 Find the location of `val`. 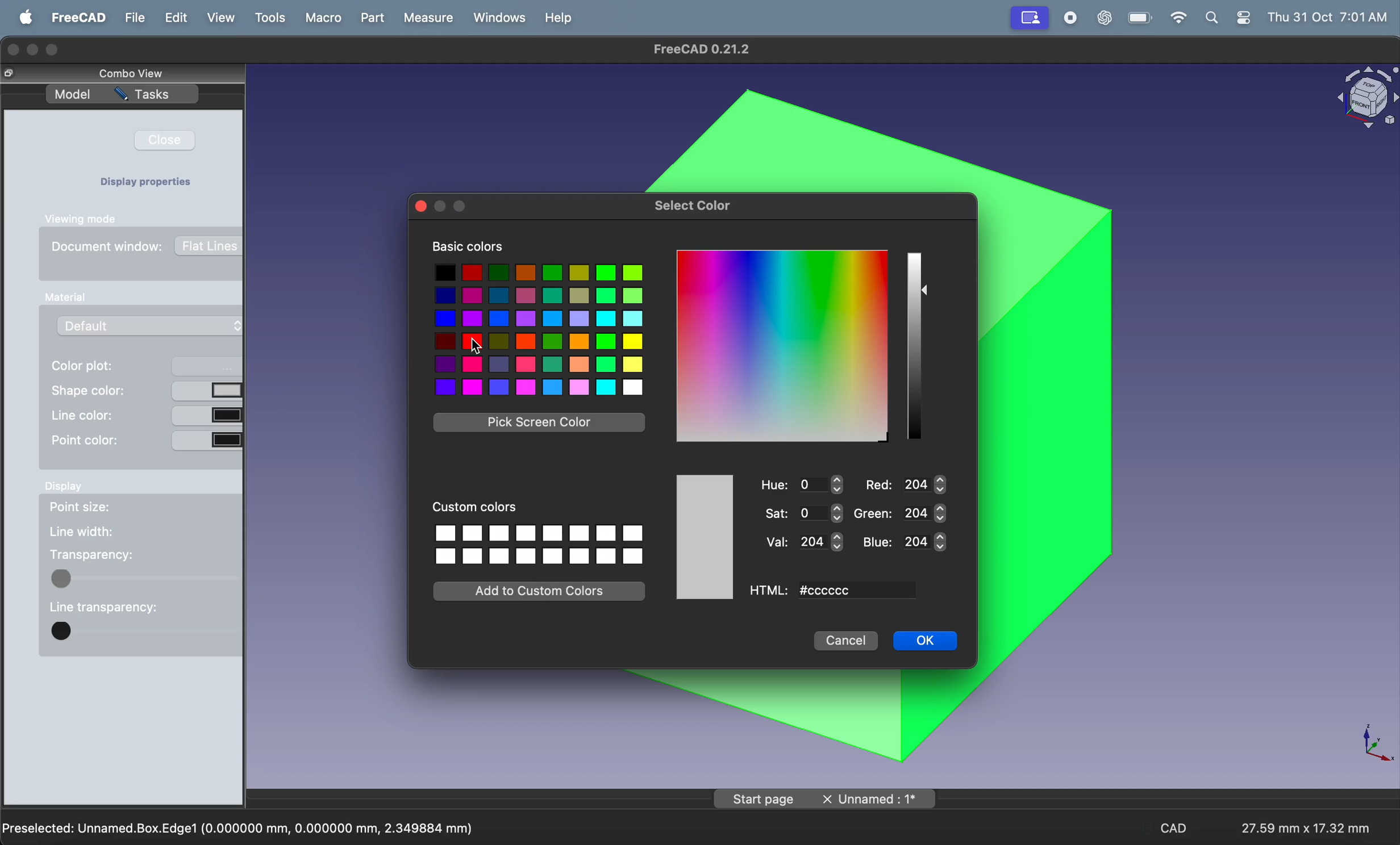

val is located at coordinates (802, 543).